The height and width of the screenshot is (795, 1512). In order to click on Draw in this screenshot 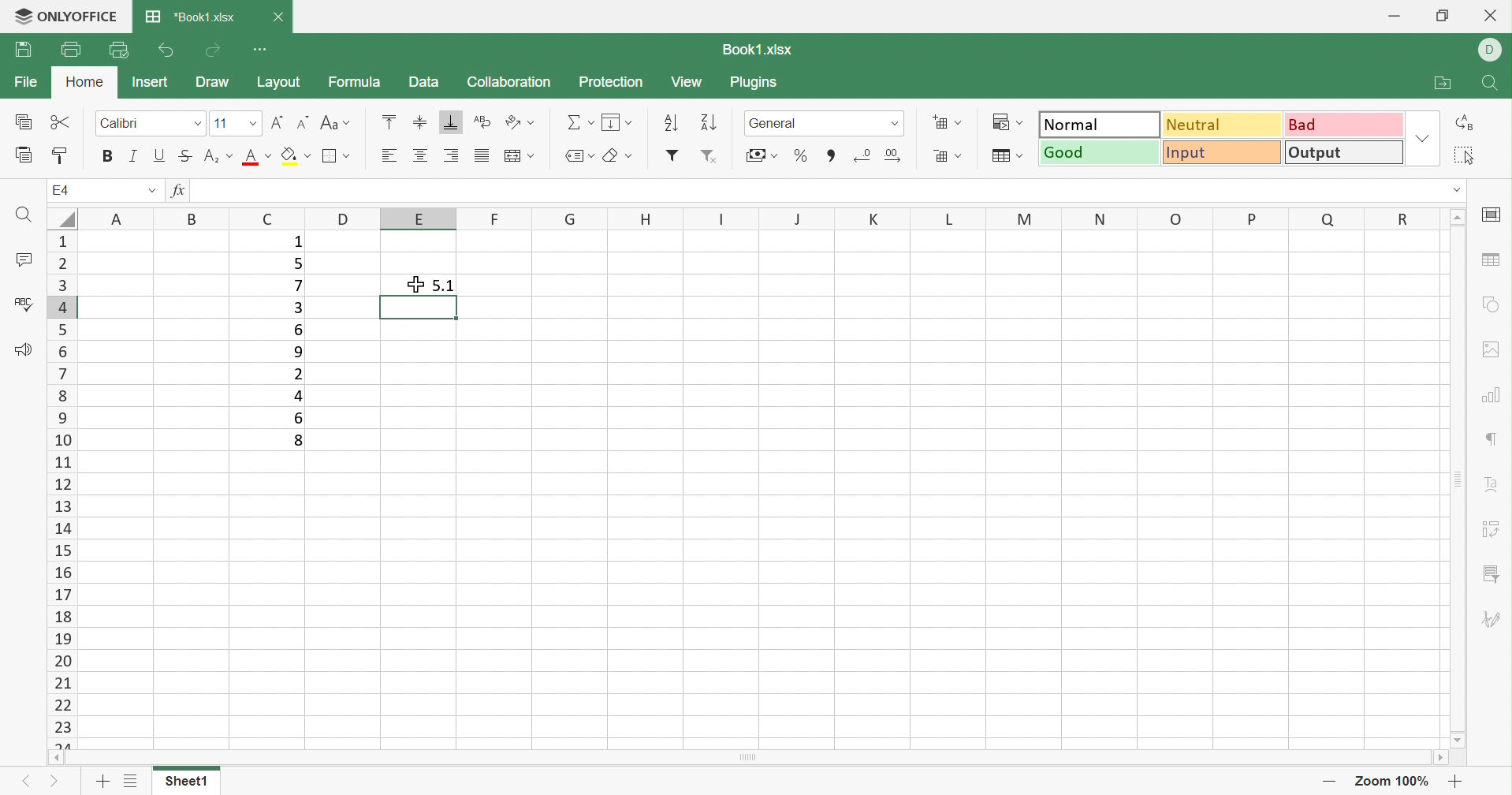, I will do `click(214, 82)`.